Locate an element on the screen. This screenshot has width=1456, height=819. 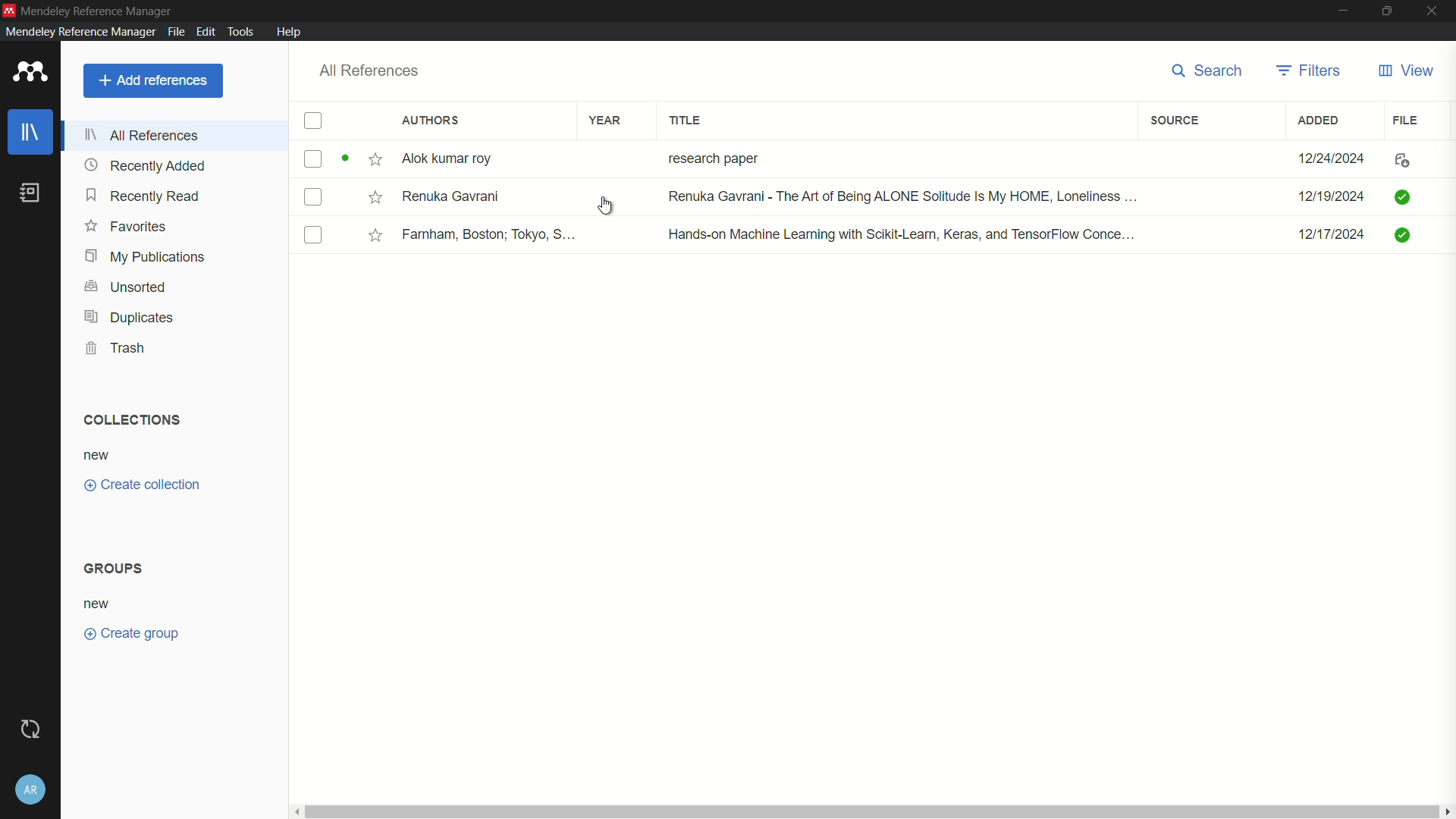
Hands-on Machine Learning with Scikit-Learn, Keras, and TensorFlow Conce... is located at coordinates (905, 234).